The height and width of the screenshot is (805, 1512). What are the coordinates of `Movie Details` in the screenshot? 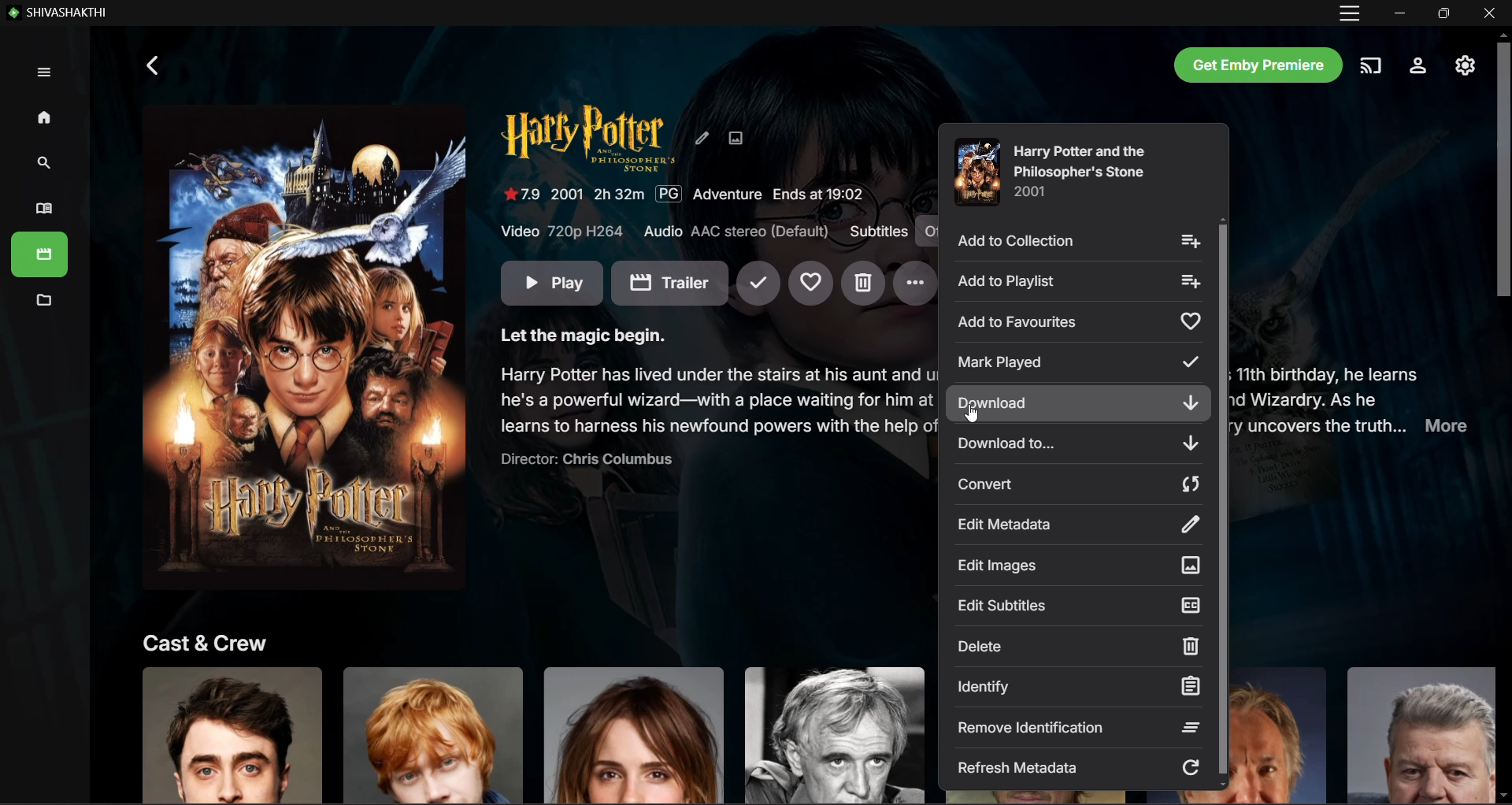 It's located at (684, 195).